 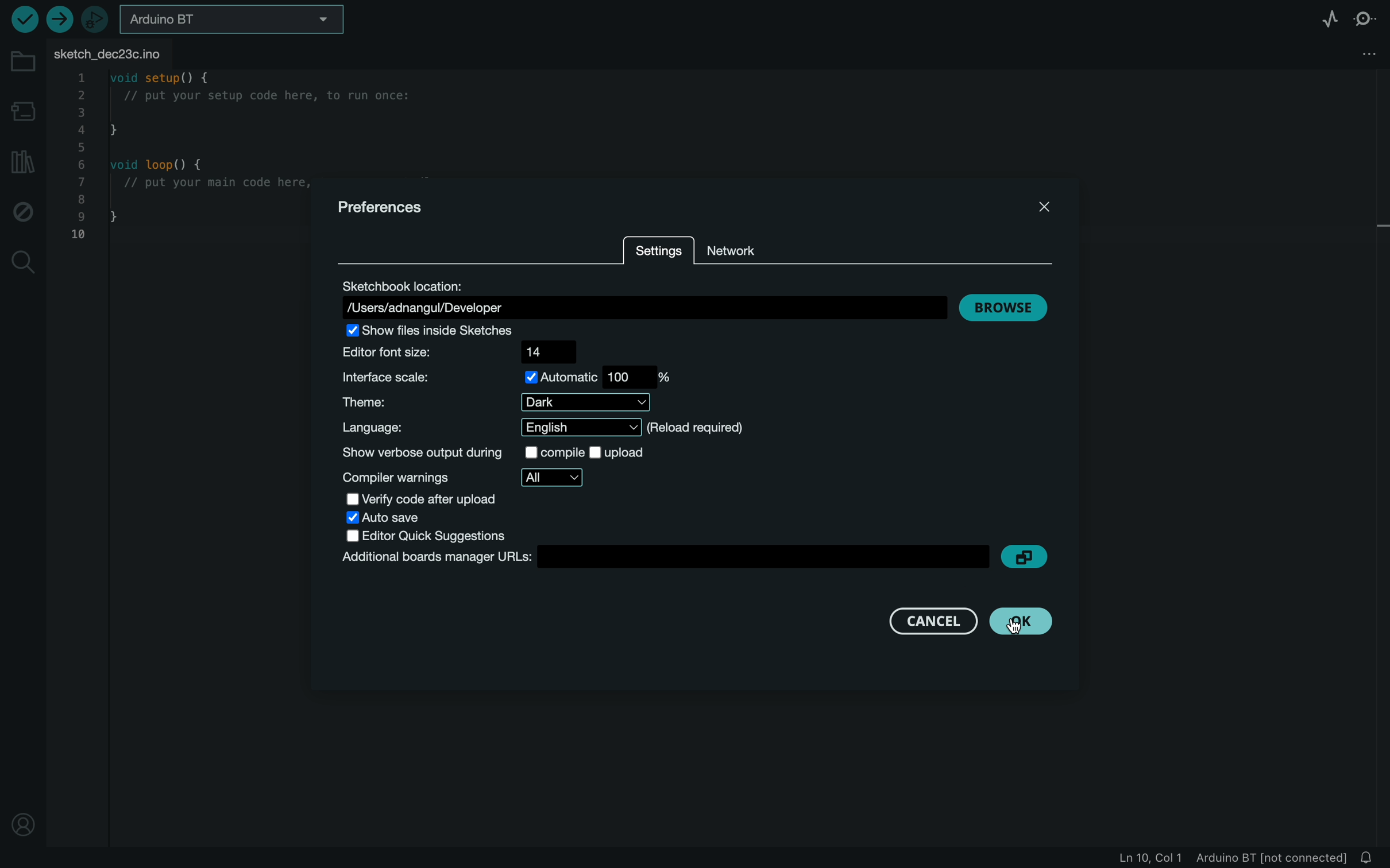 I want to click on cursor, so click(x=1026, y=621).